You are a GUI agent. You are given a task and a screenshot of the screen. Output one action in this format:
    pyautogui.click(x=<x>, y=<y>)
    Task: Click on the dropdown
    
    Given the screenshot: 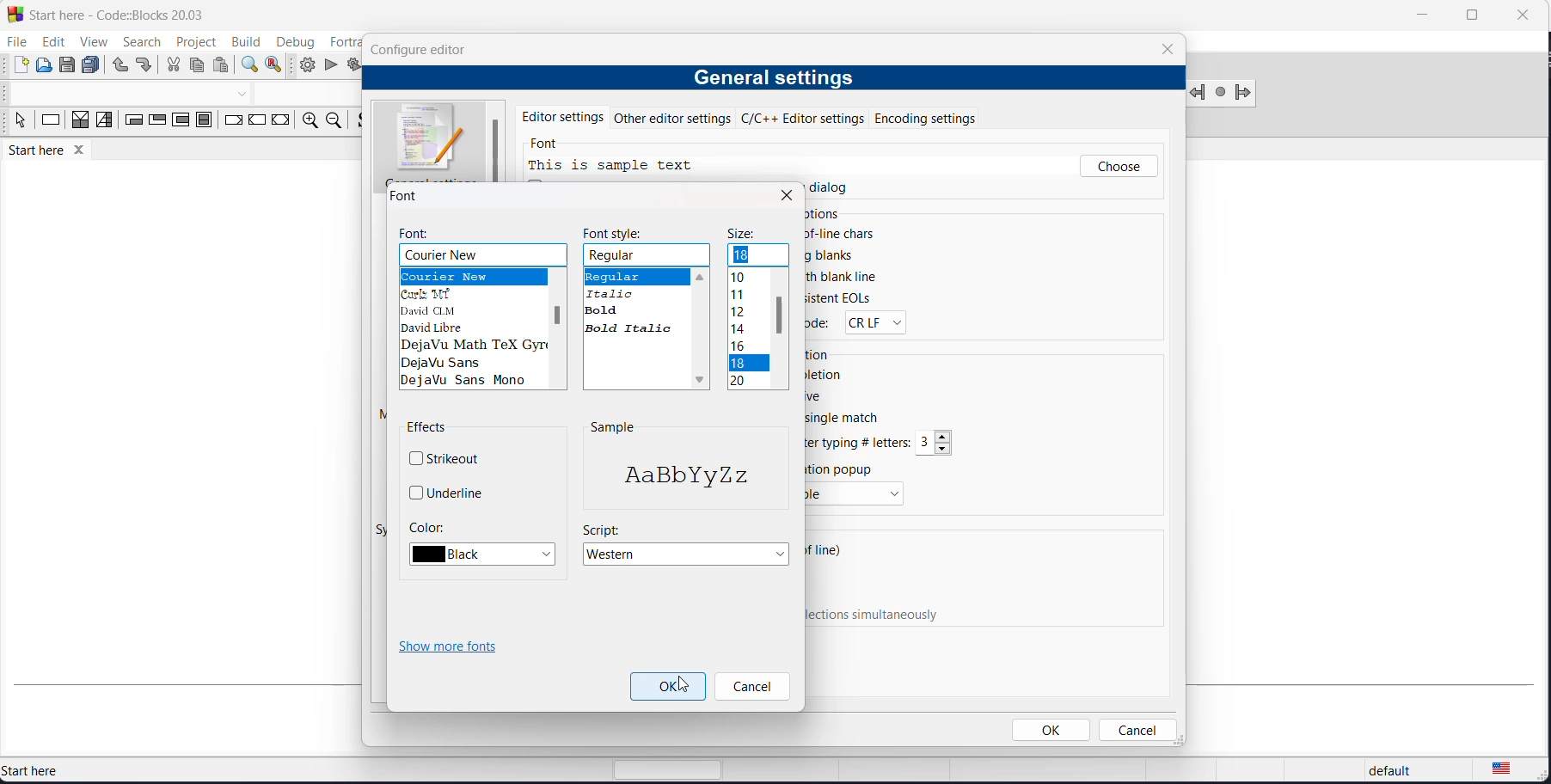 What is the action you would take?
    pyautogui.click(x=245, y=94)
    